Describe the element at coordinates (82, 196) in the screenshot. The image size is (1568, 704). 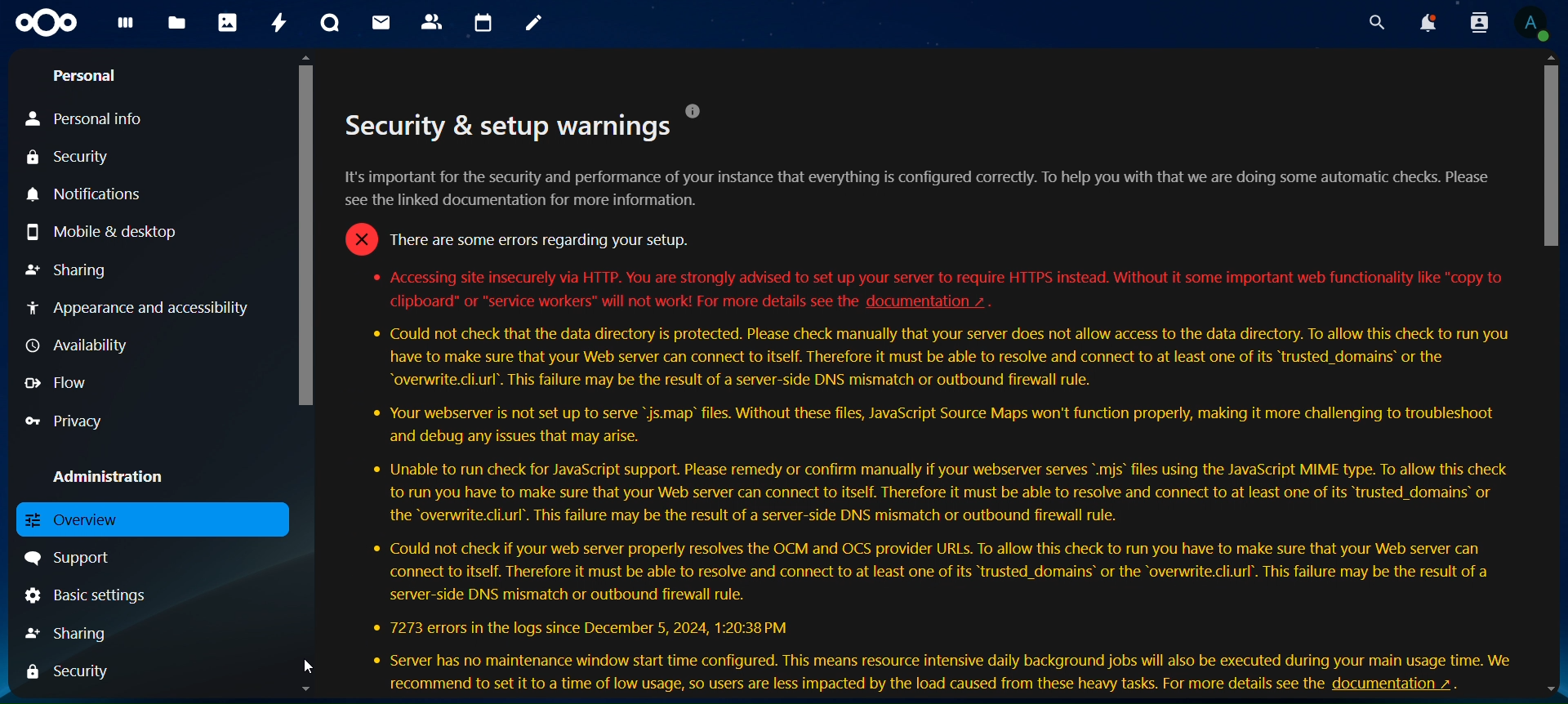
I see `notifications` at that location.